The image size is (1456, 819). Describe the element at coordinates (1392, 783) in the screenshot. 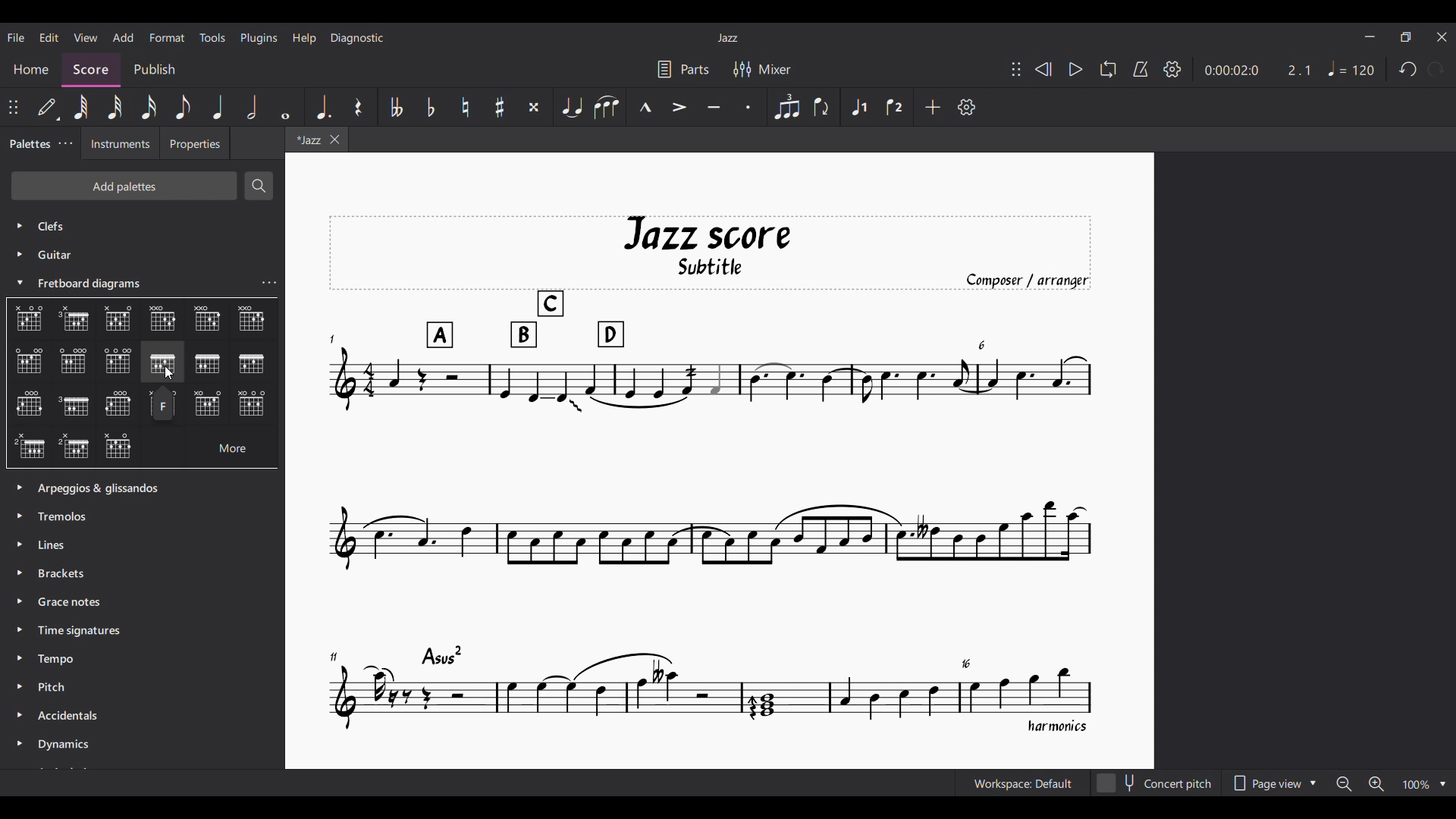

I see `Zoom options` at that location.